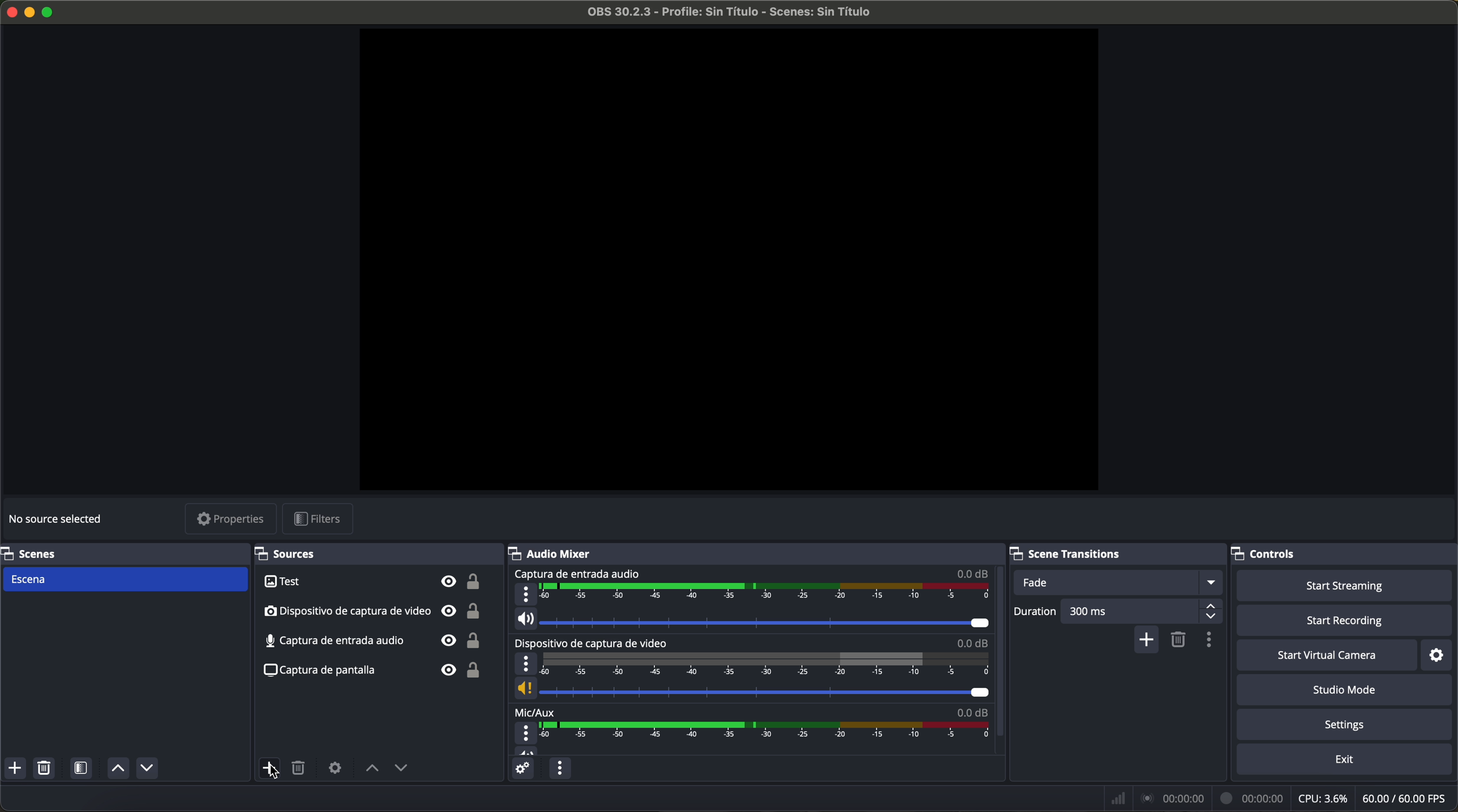  Describe the element at coordinates (525, 734) in the screenshot. I see `more options` at that location.